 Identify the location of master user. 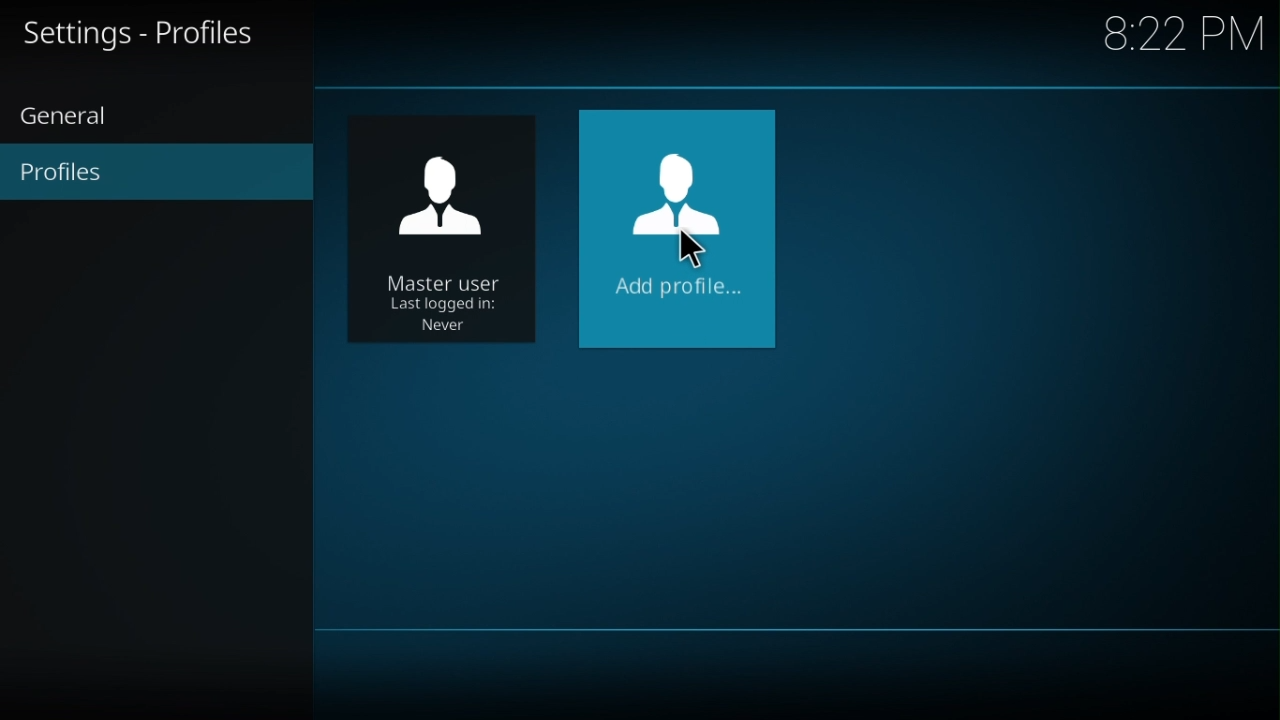
(447, 229).